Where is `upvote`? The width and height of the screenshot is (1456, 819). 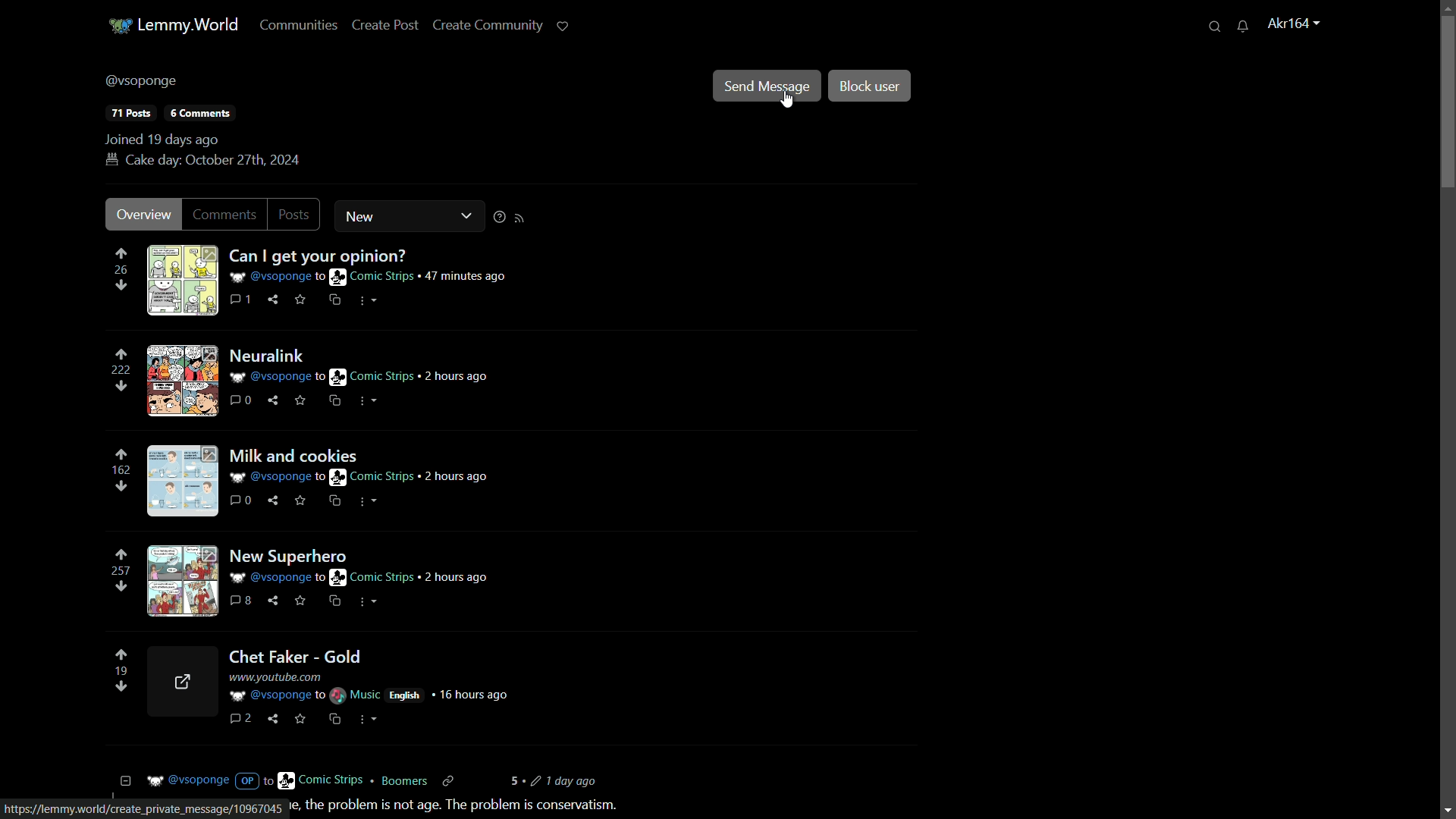
upvote is located at coordinates (122, 554).